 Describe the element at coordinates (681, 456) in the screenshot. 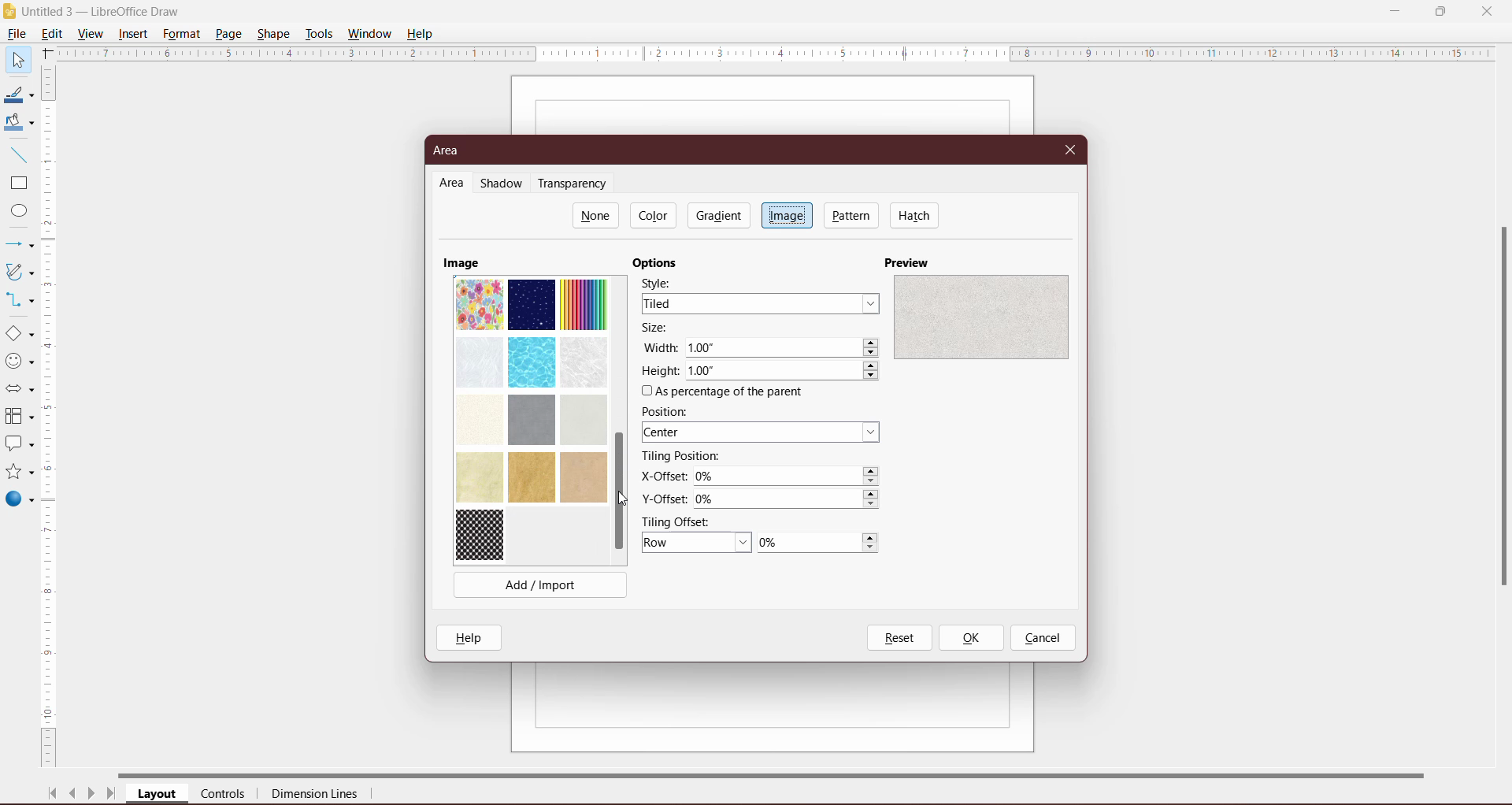

I see `Tiling Position` at that location.